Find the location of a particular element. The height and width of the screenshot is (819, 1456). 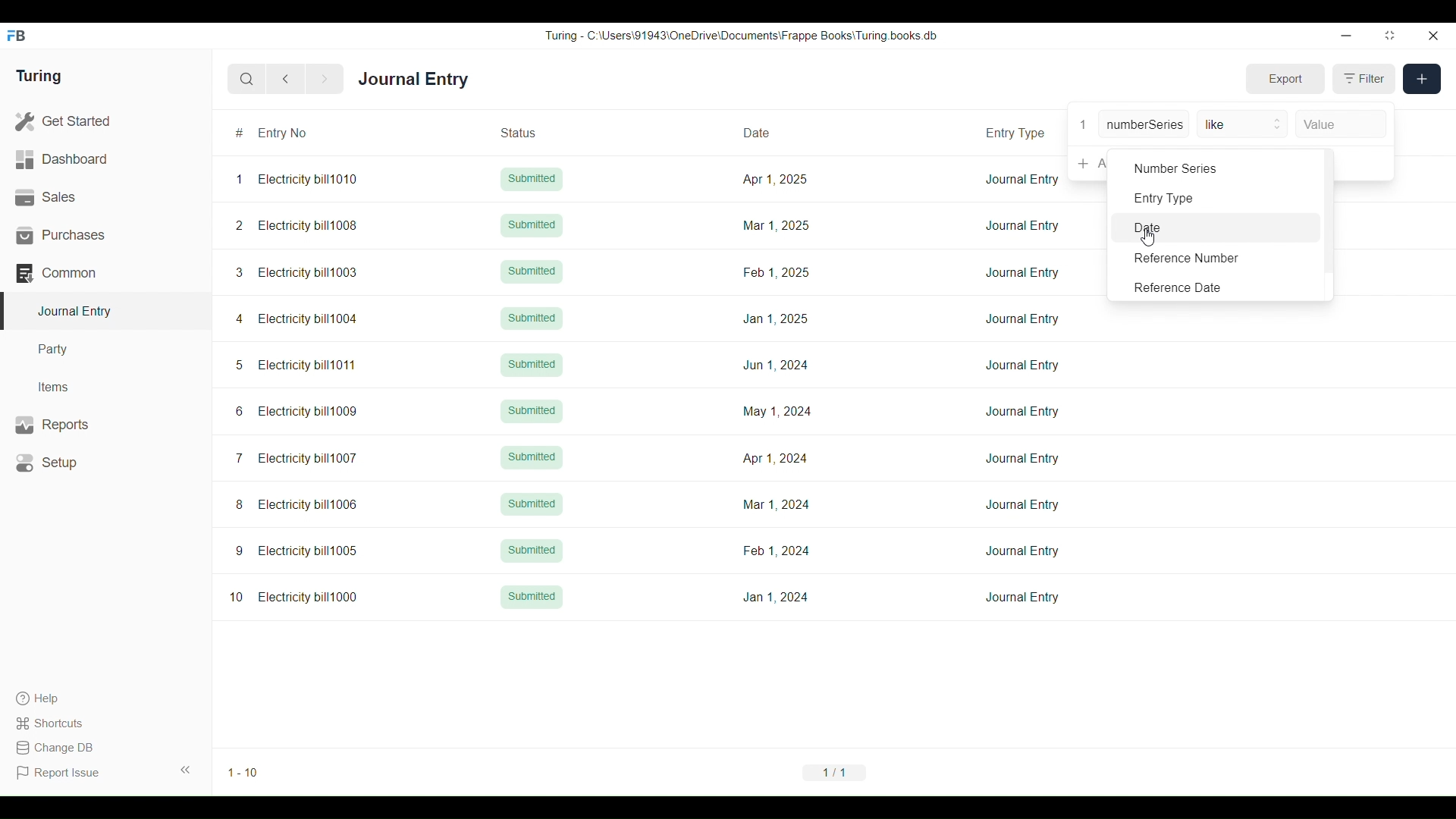

Purchases is located at coordinates (105, 235).